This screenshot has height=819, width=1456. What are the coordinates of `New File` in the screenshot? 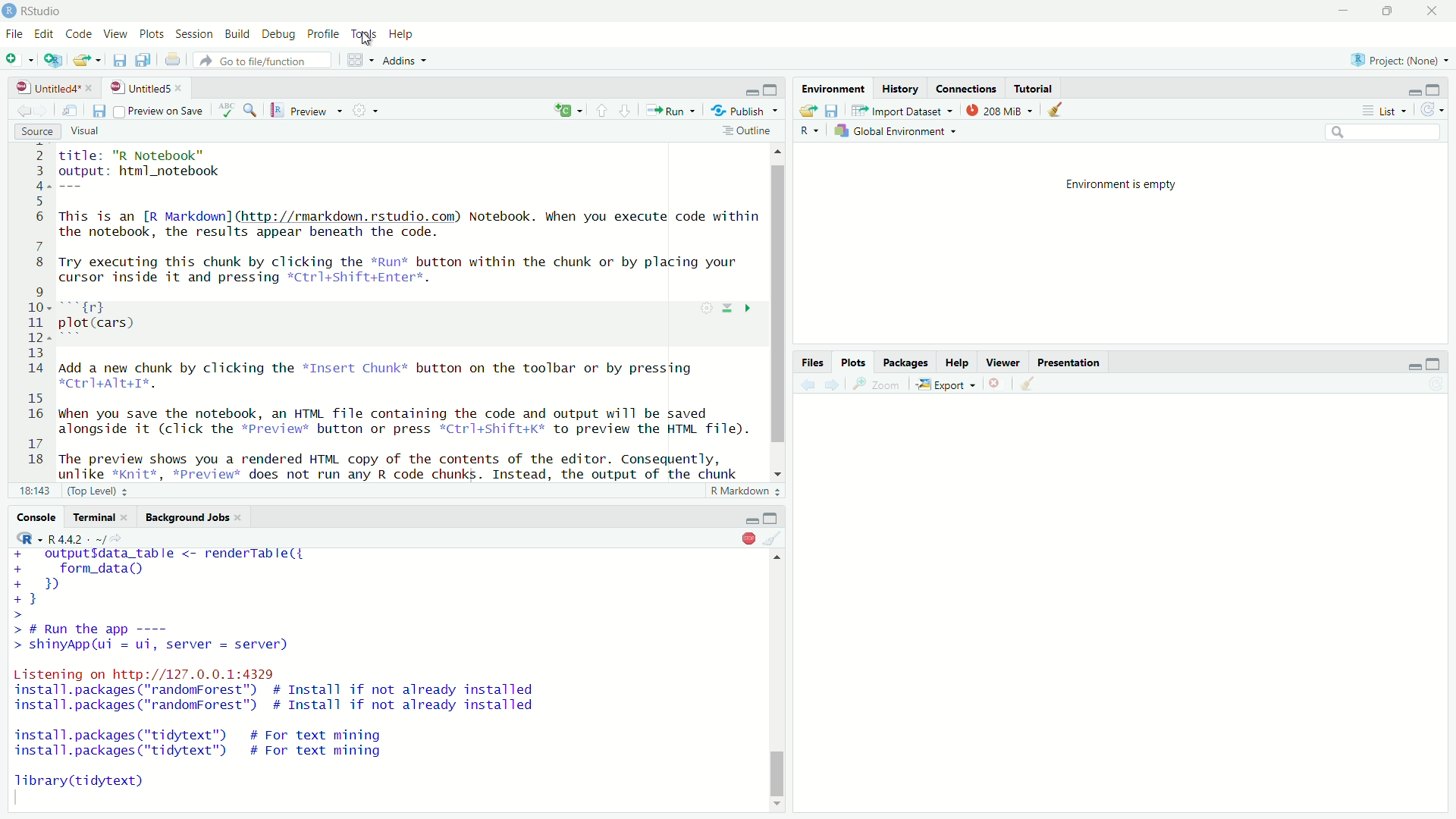 It's located at (20, 58).